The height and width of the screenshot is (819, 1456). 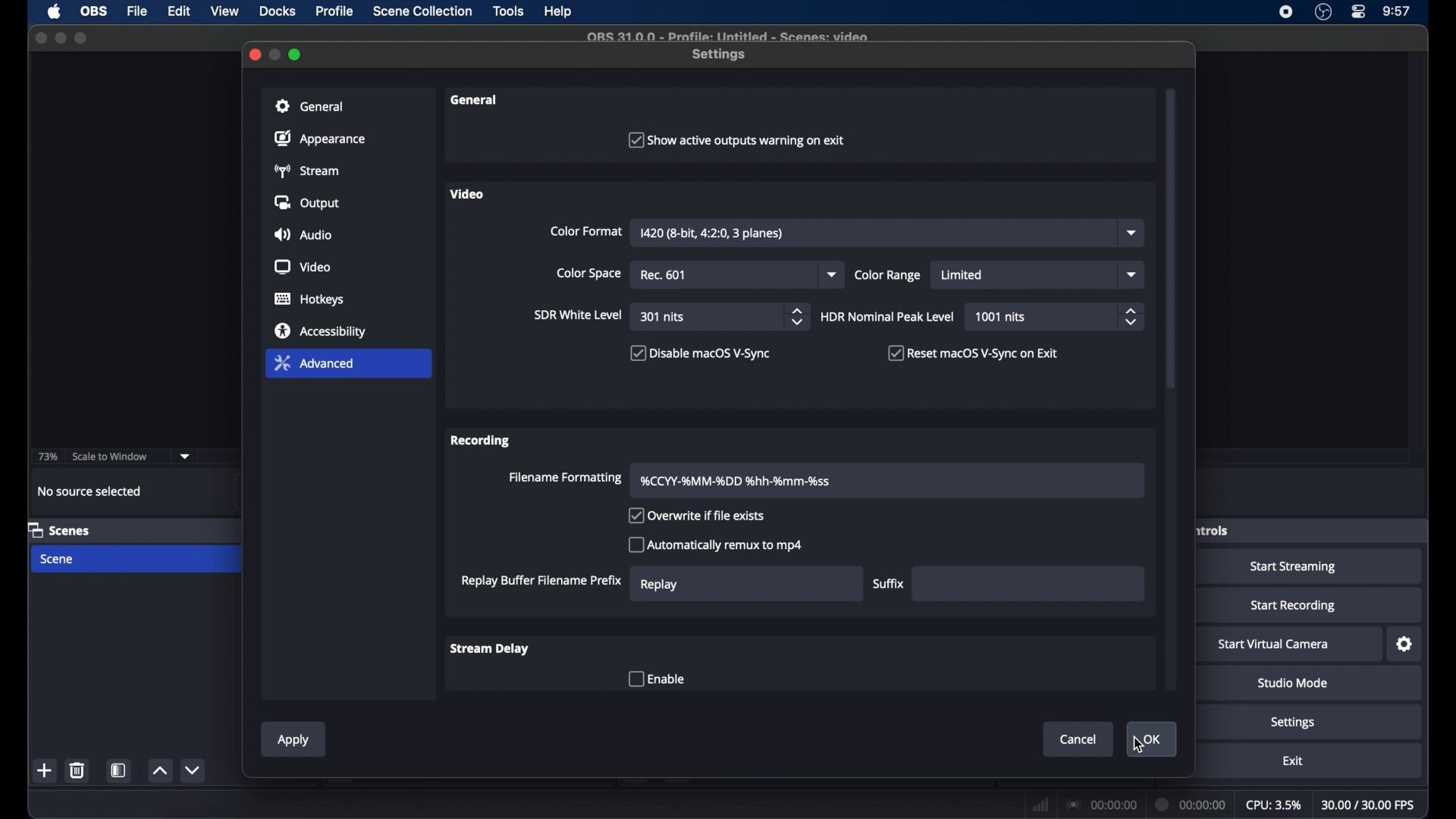 I want to click on settings, so click(x=1293, y=722).